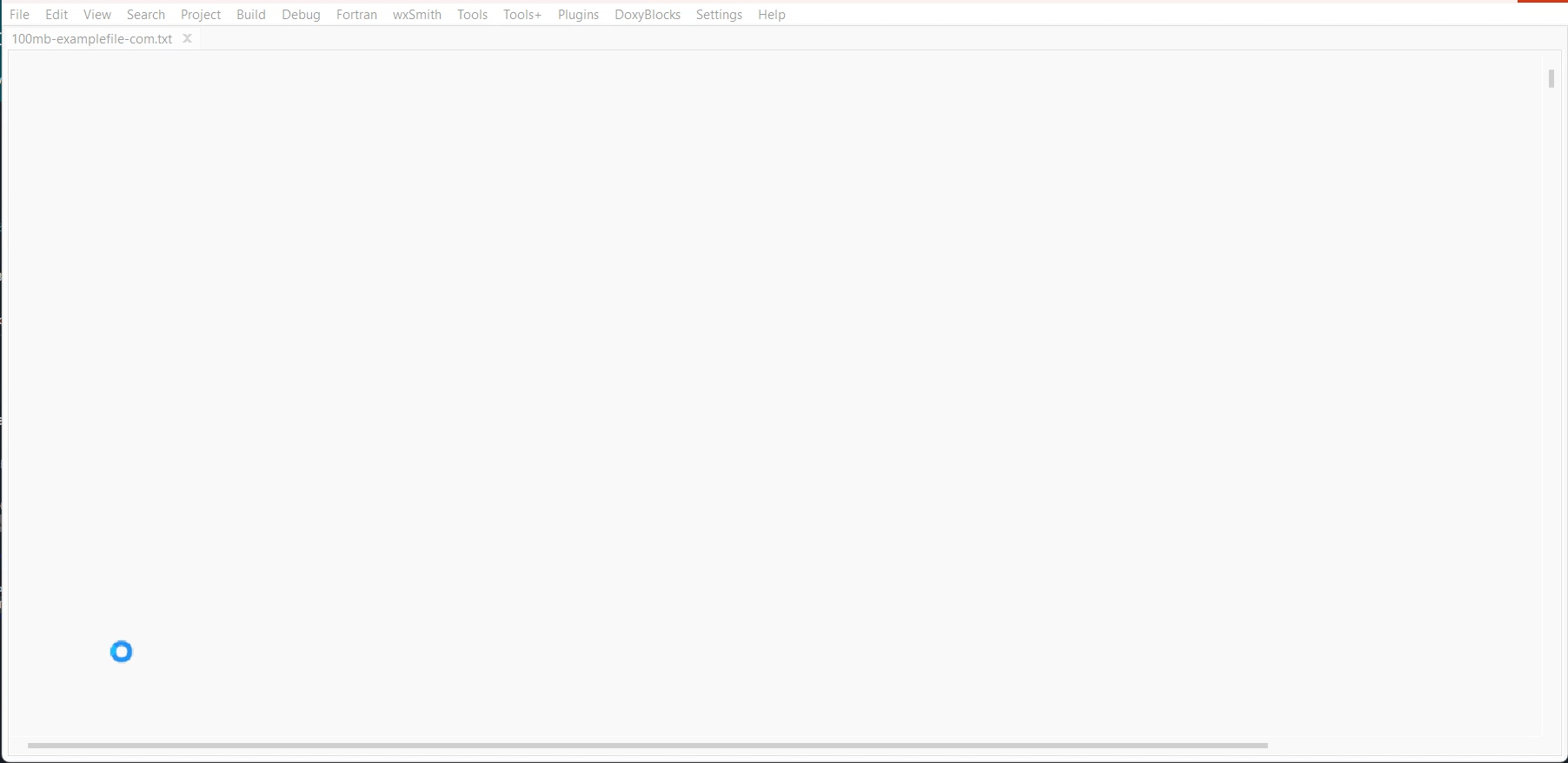 The width and height of the screenshot is (1568, 763). What do you see at coordinates (57, 15) in the screenshot?
I see `Edit` at bounding box center [57, 15].